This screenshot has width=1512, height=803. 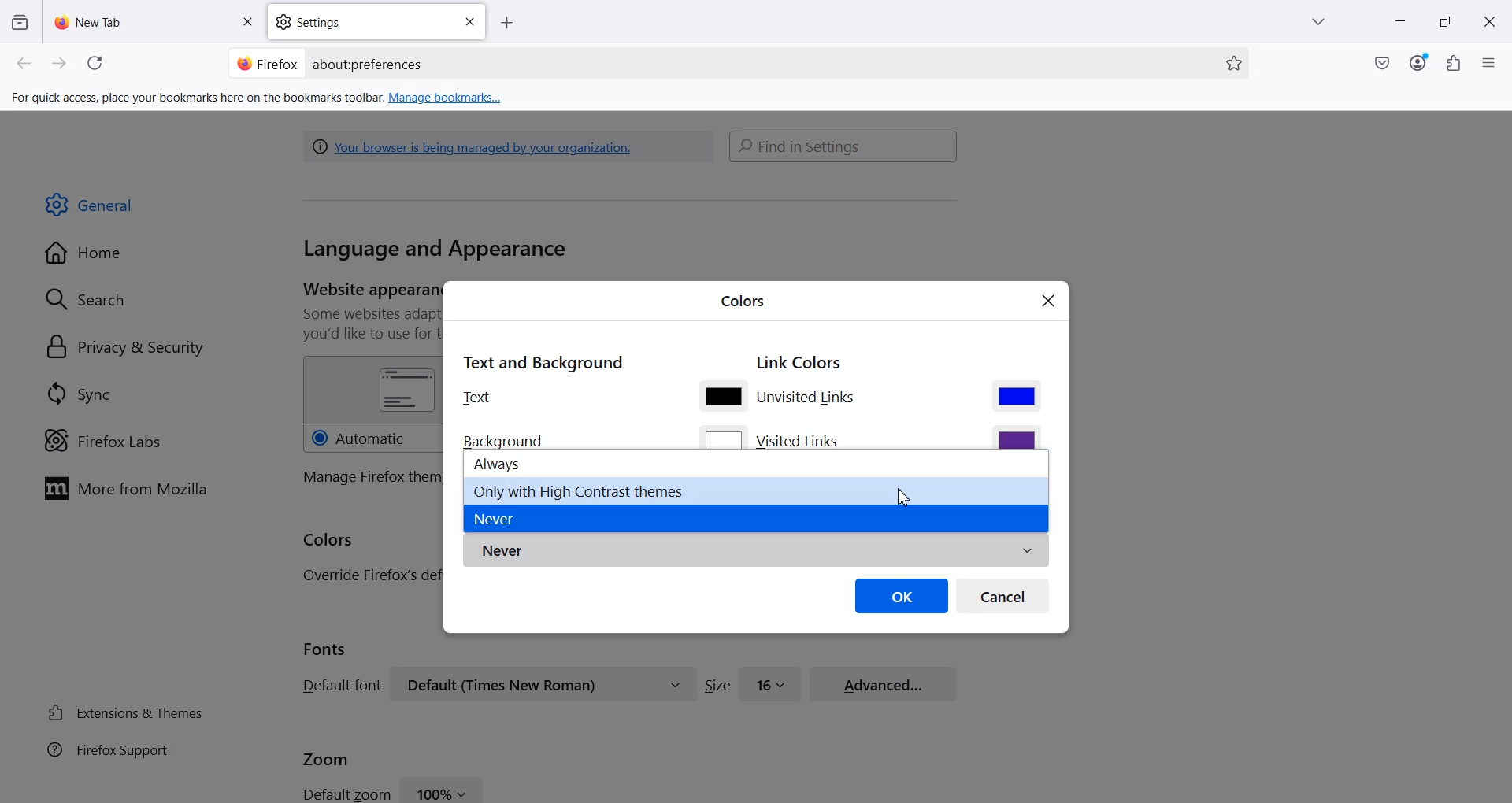 I want to click on Minimize, so click(x=1399, y=23).